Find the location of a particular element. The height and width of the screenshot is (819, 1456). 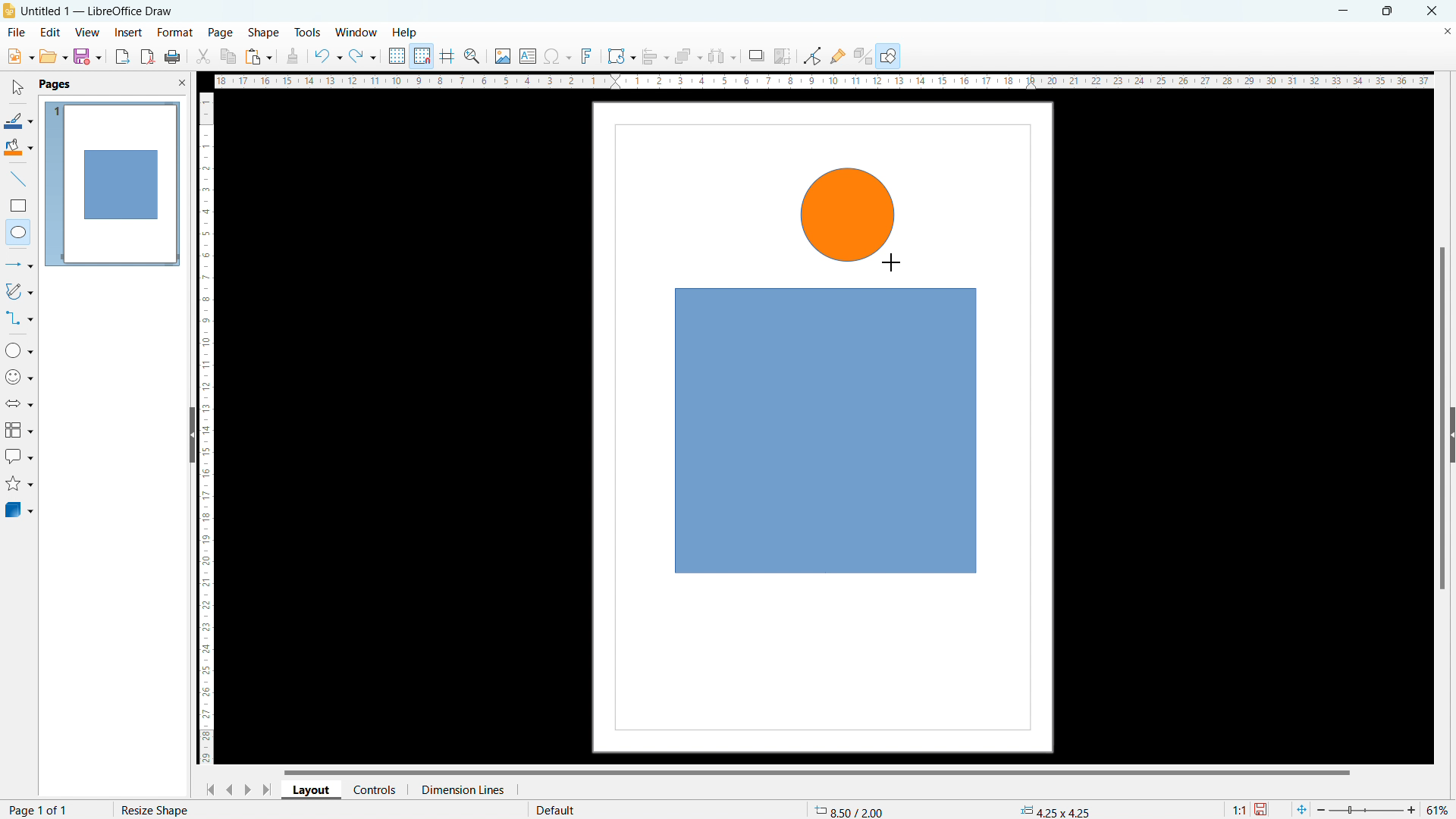

callout shapes is located at coordinates (20, 457).